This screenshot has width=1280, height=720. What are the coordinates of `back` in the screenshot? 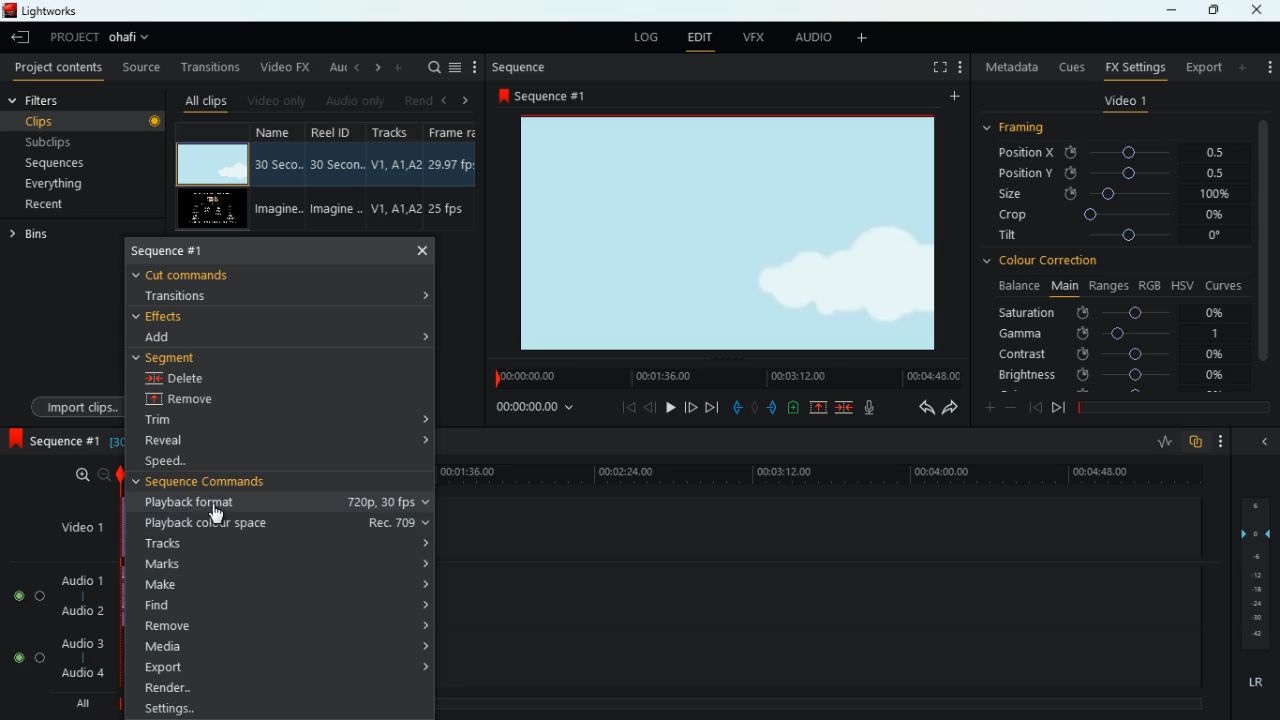 It's located at (1034, 406).